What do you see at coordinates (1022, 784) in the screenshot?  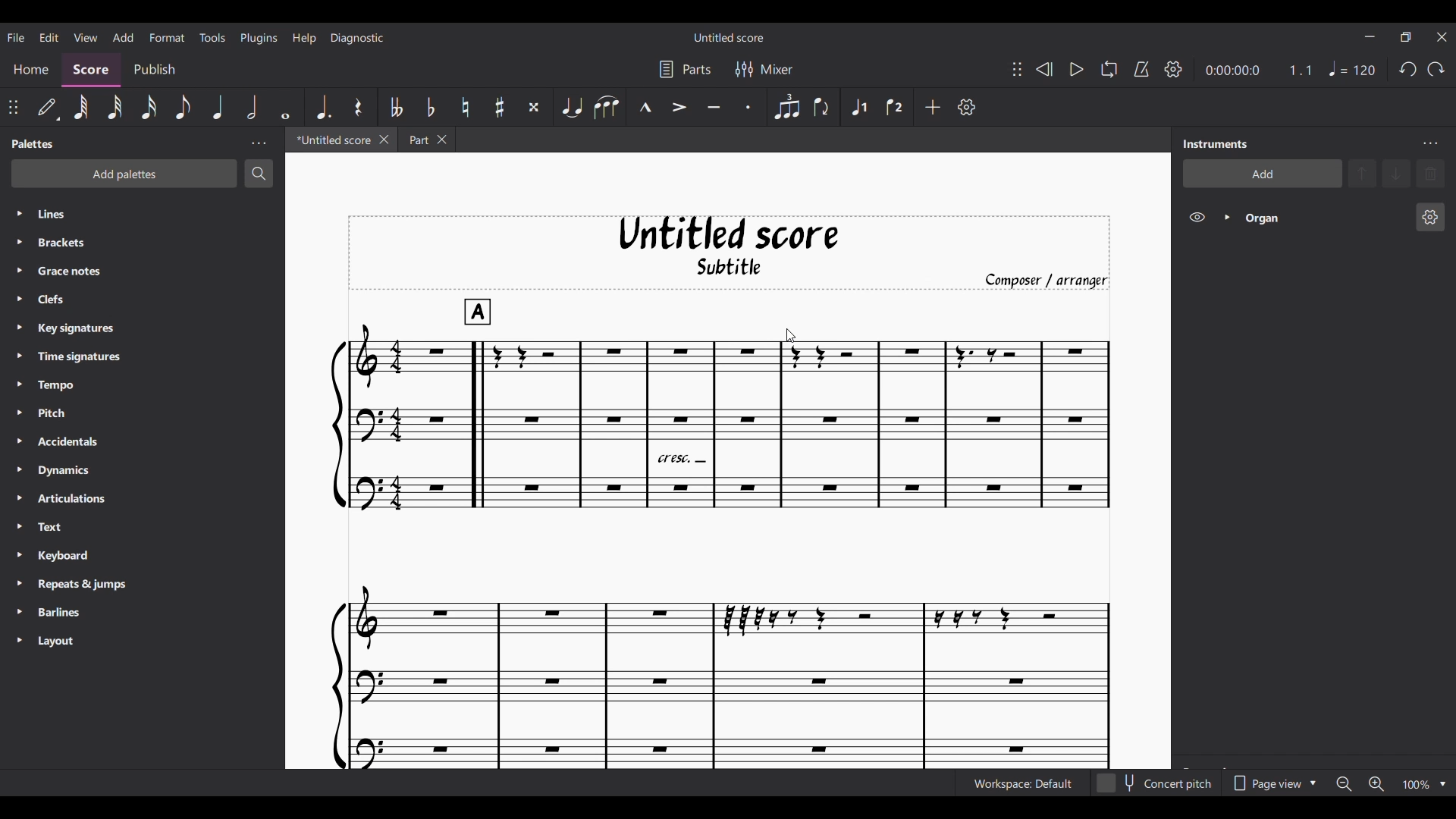 I see `Current workspace setting` at bounding box center [1022, 784].